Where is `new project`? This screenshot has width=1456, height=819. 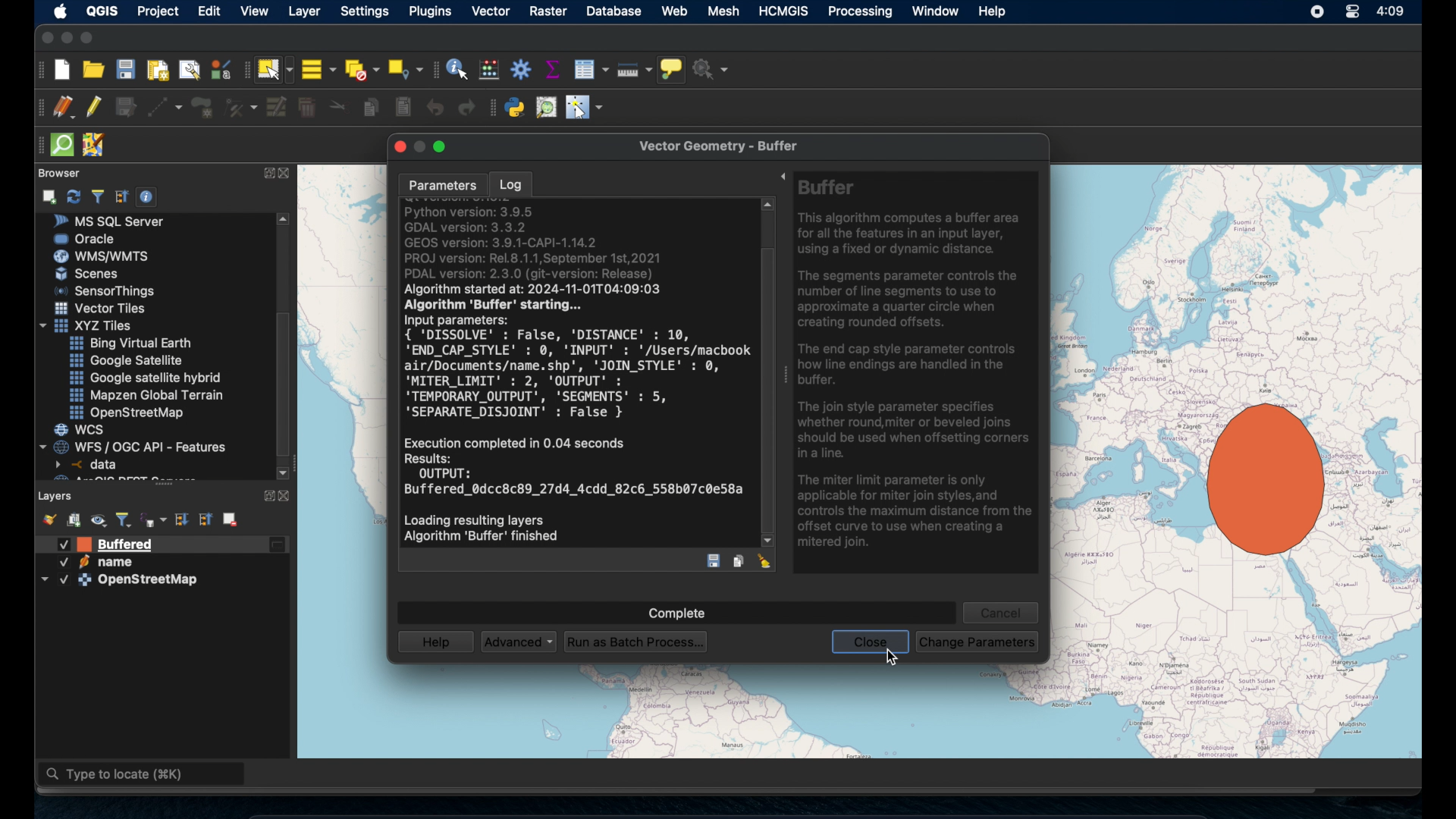
new project is located at coordinates (63, 70).